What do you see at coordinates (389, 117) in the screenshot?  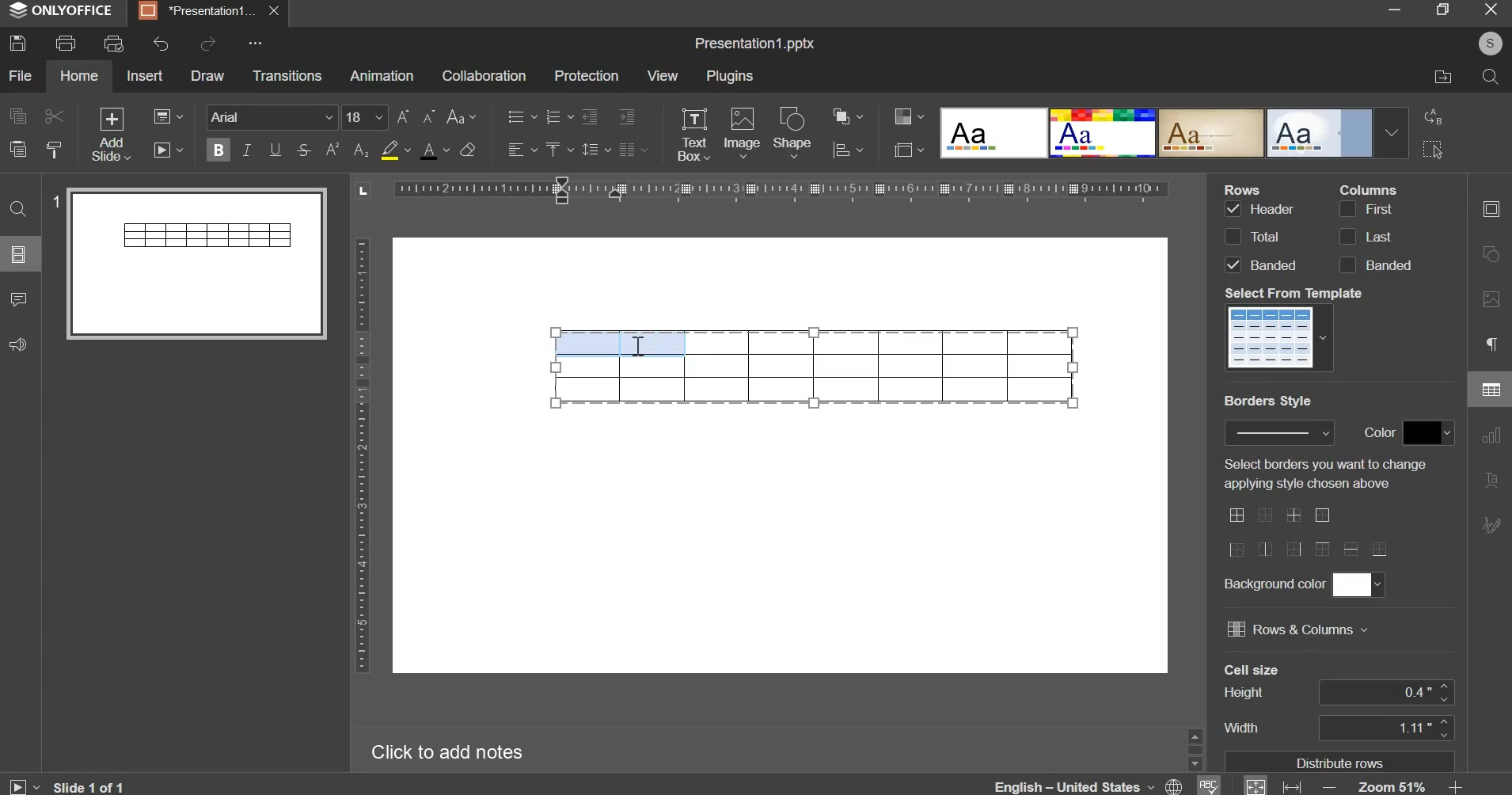 I see `font size` at bounding box center [389, 117].